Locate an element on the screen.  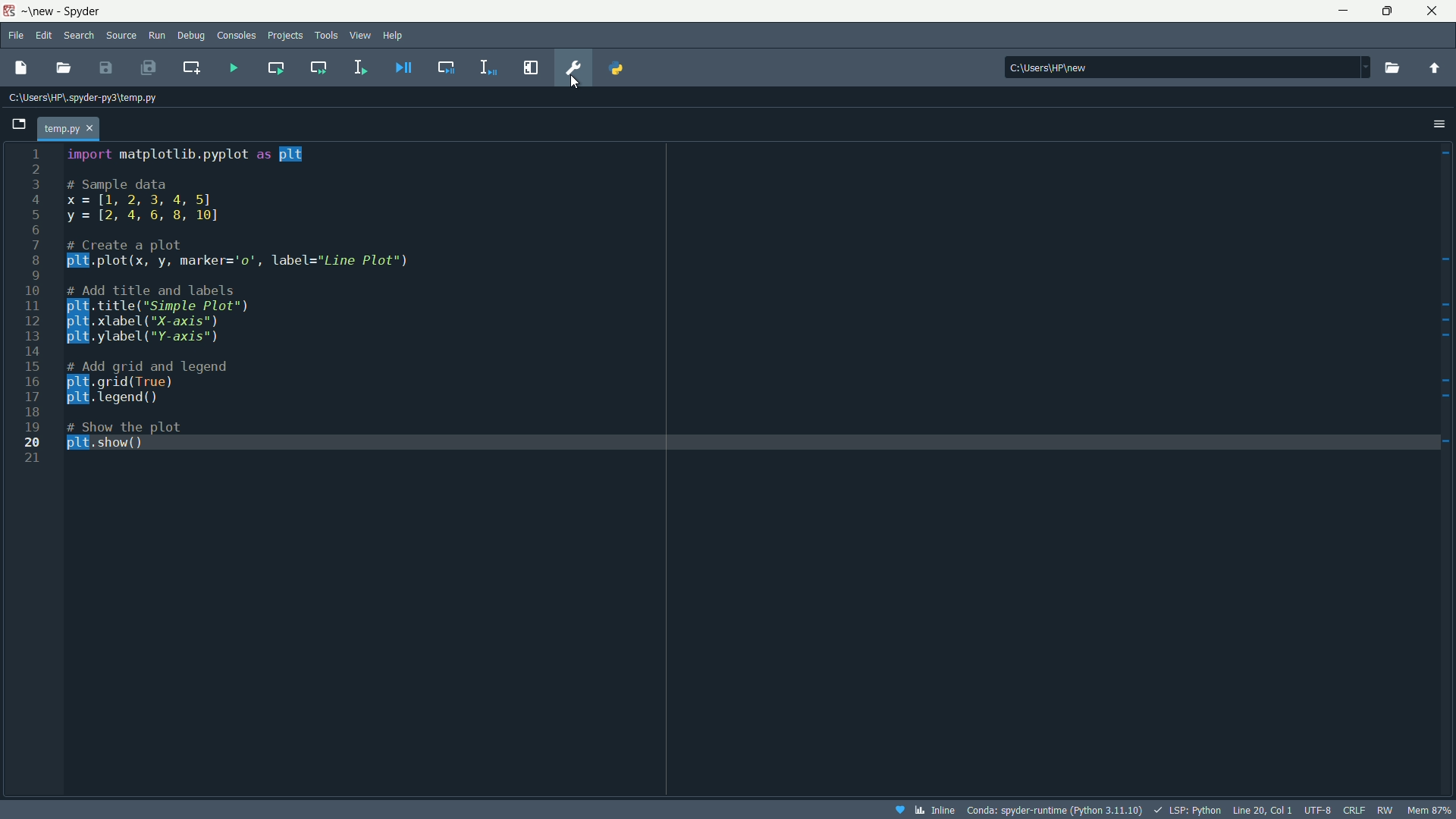
file encoding is located at coordinates (1317, 810).